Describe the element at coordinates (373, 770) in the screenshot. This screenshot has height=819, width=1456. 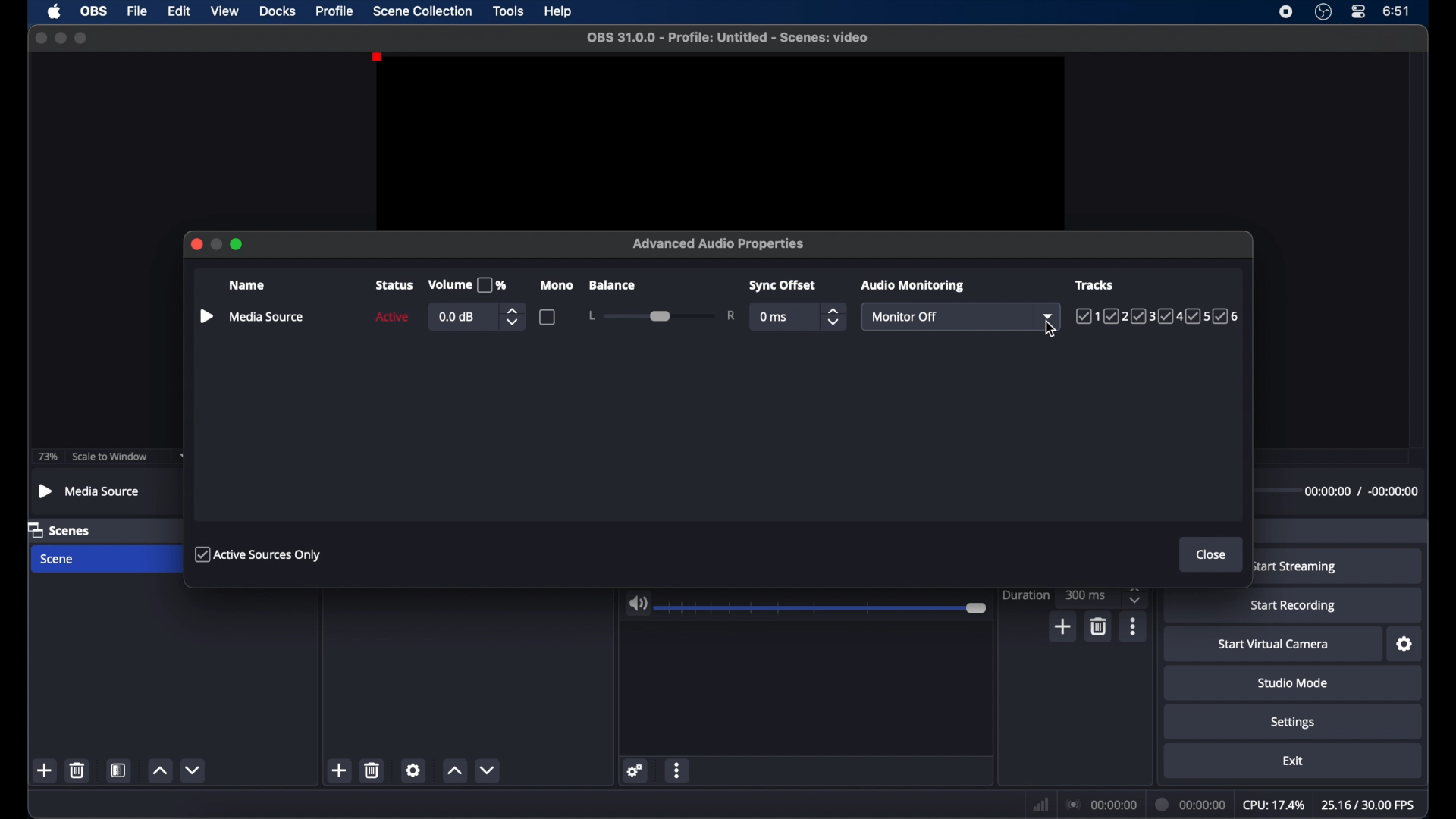
I see `delete` at that location.